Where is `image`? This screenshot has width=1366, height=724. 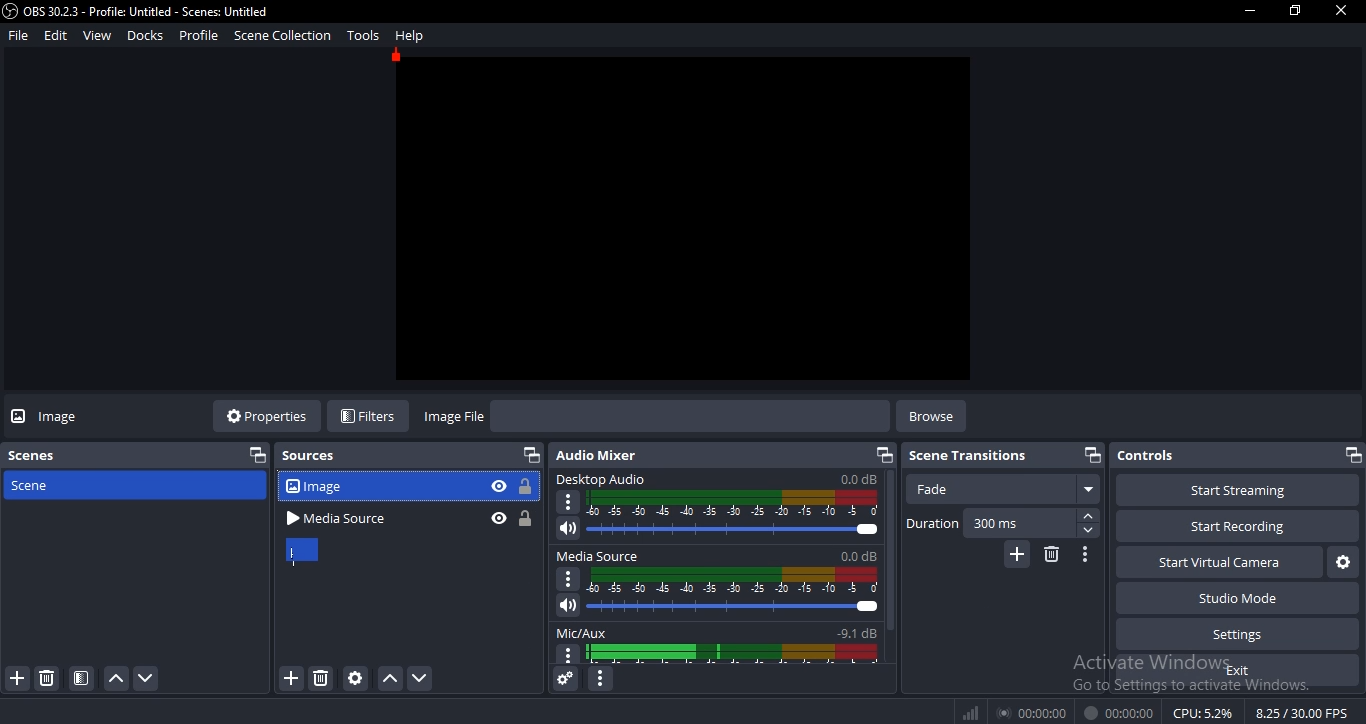 image is located at coordinates (371, 486).